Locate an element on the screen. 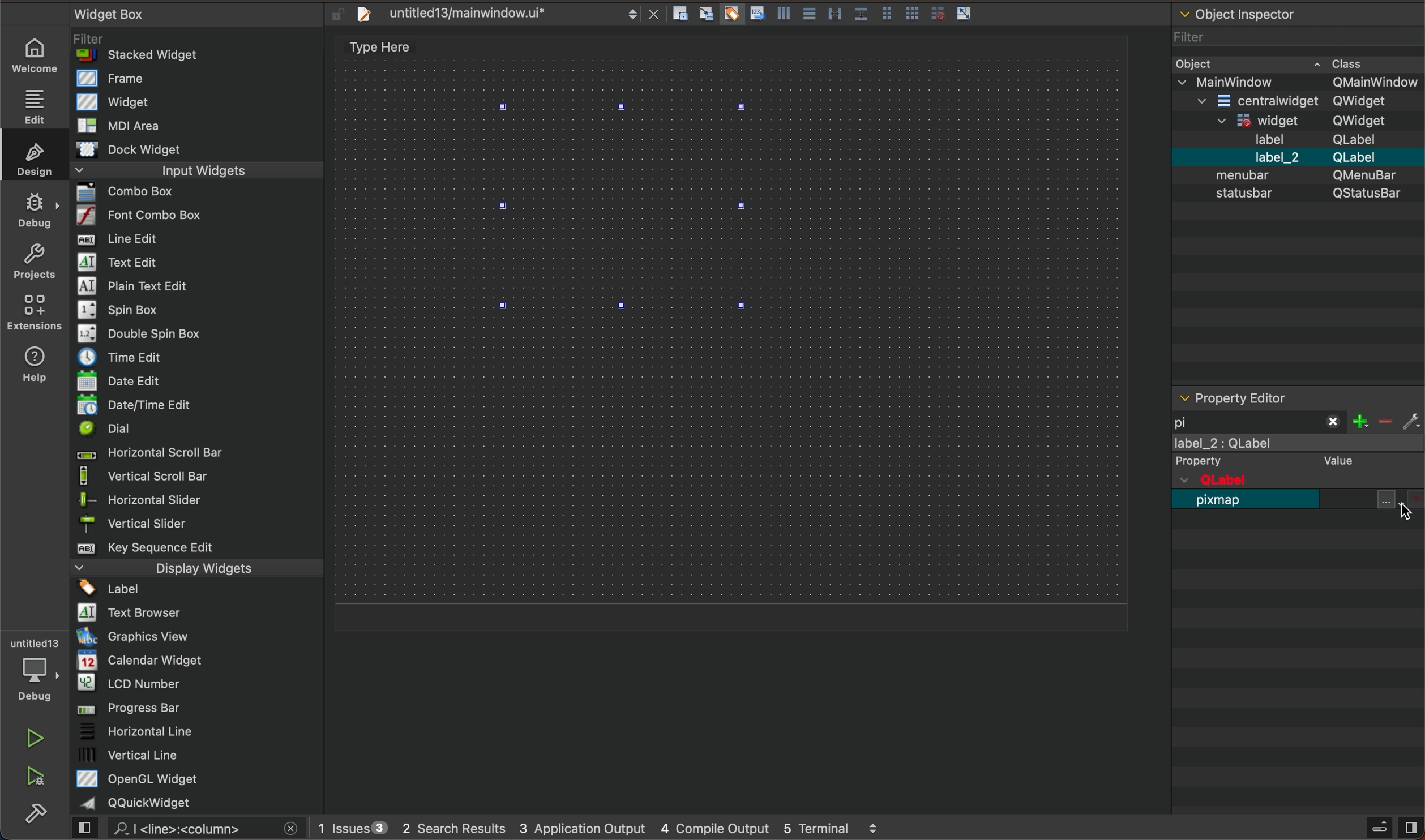  debug is located at coordinates (34, 206).